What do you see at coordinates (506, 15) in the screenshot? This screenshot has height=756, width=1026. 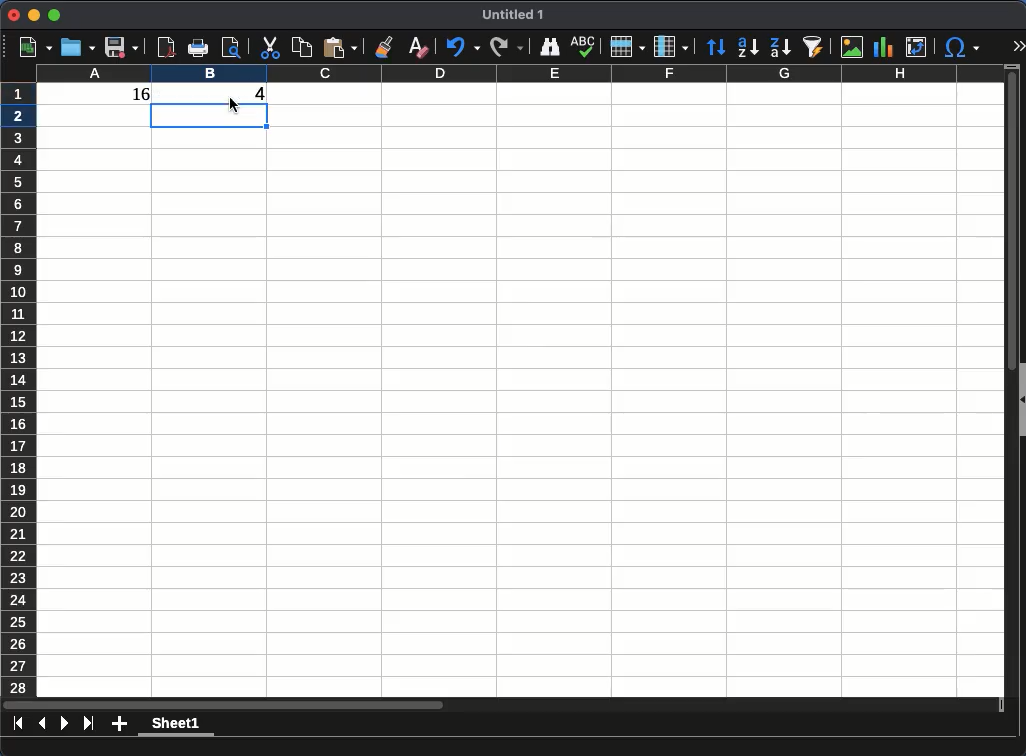 I see `Untitled 1` at bounding box center [506, 15].